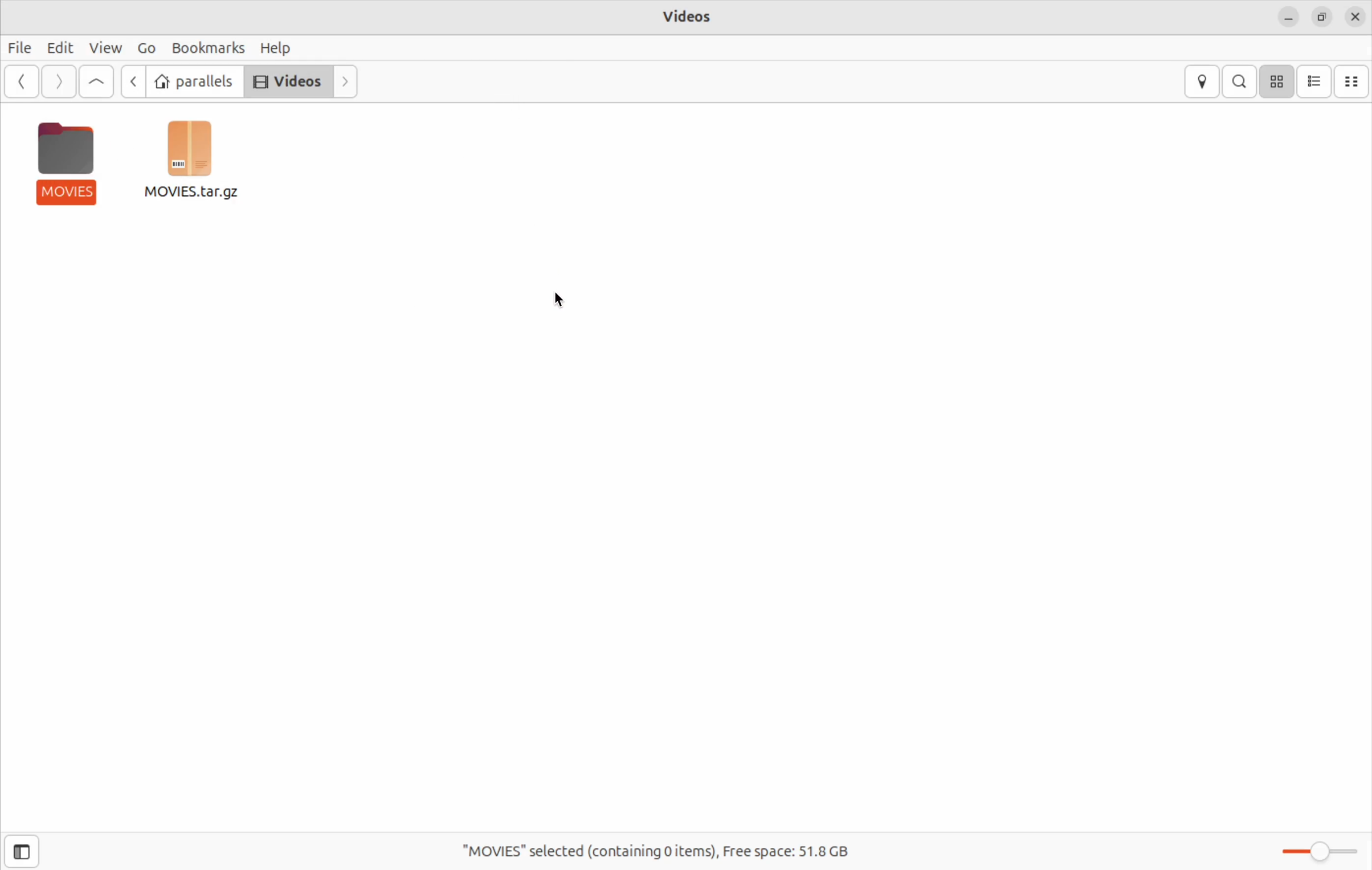  I want to click on list view, so click(1315, 81).